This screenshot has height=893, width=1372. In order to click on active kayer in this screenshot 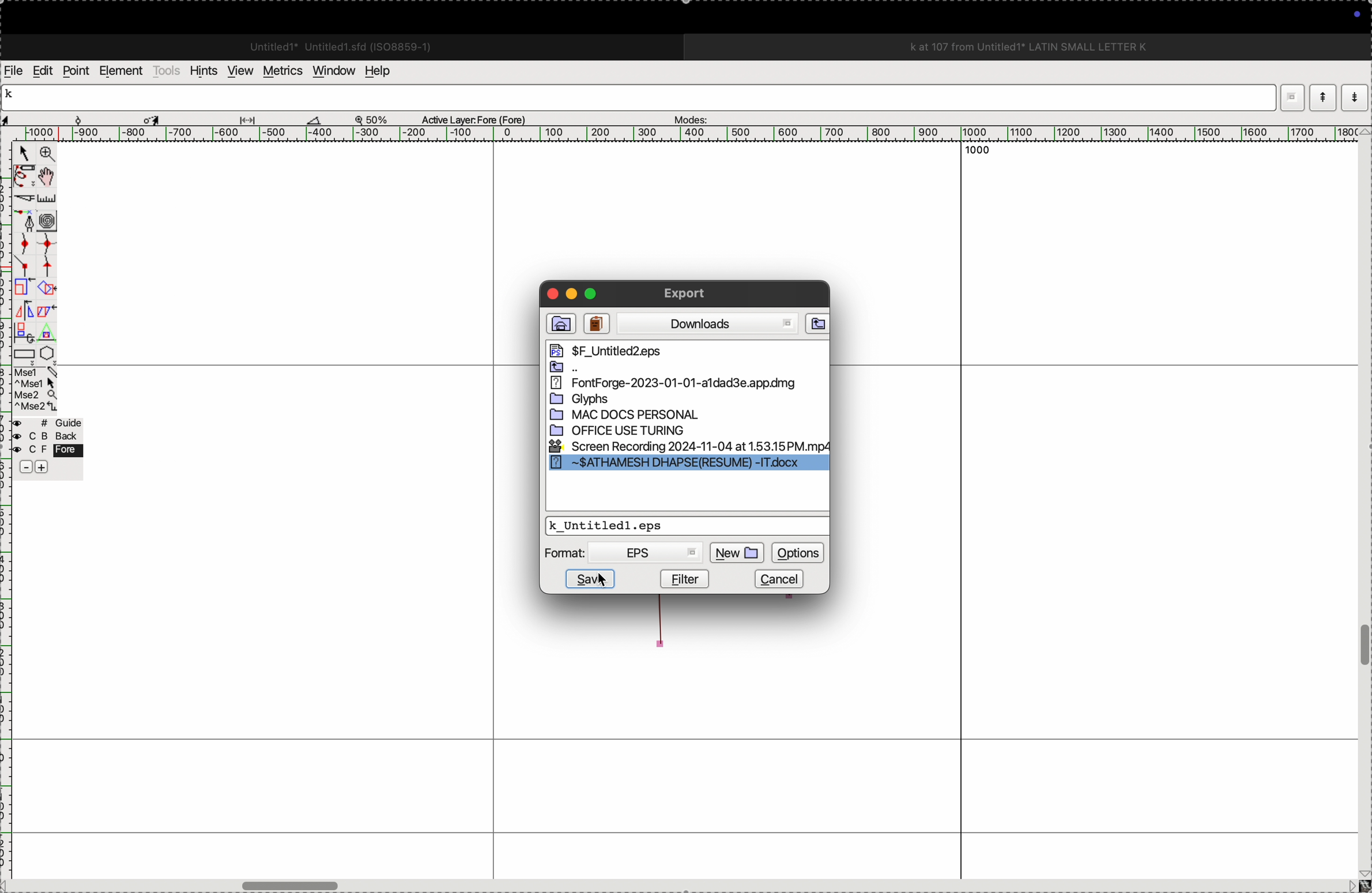, I will do `click(481, 119)`.